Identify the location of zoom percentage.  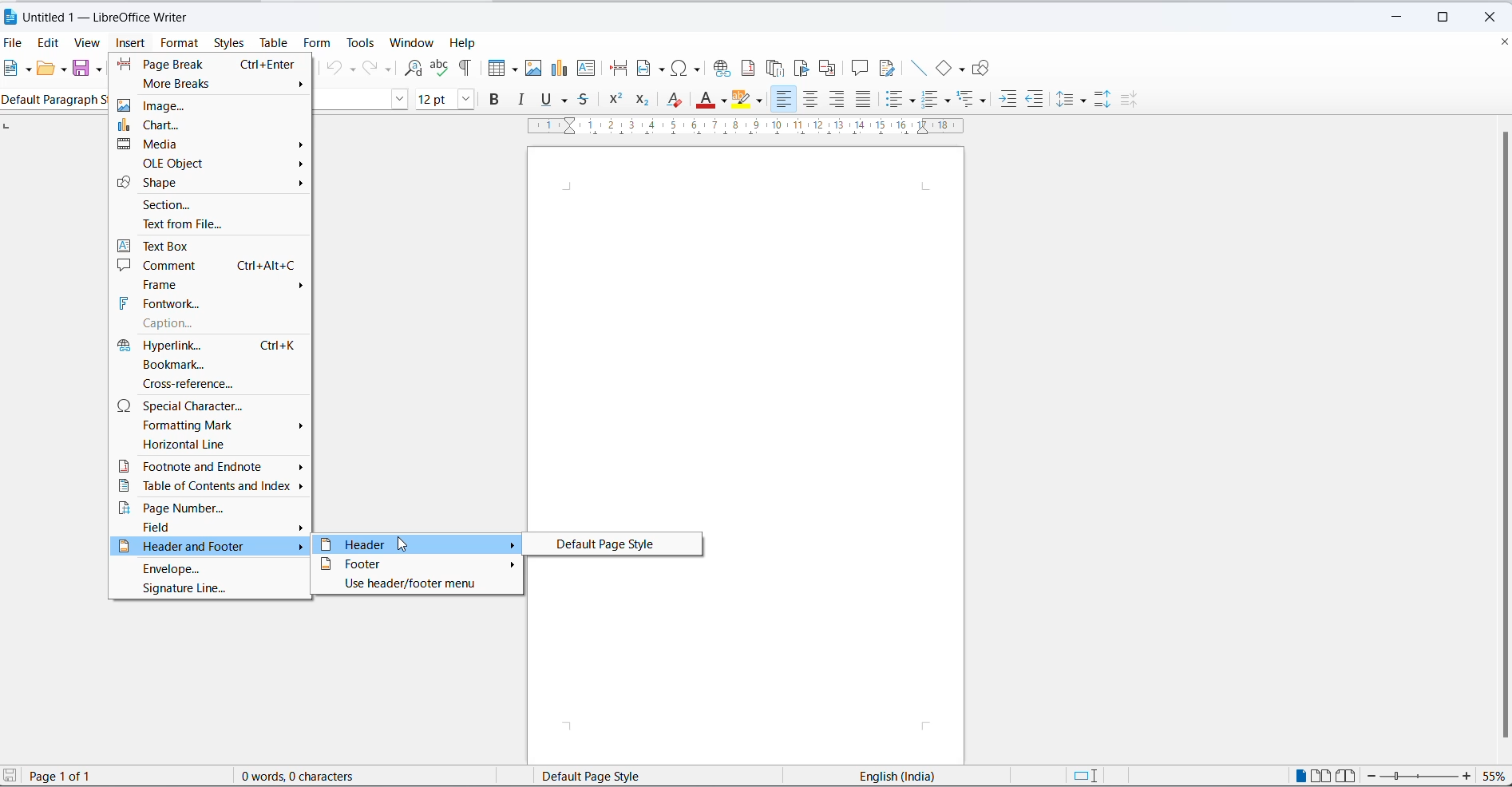
(1494, 777).